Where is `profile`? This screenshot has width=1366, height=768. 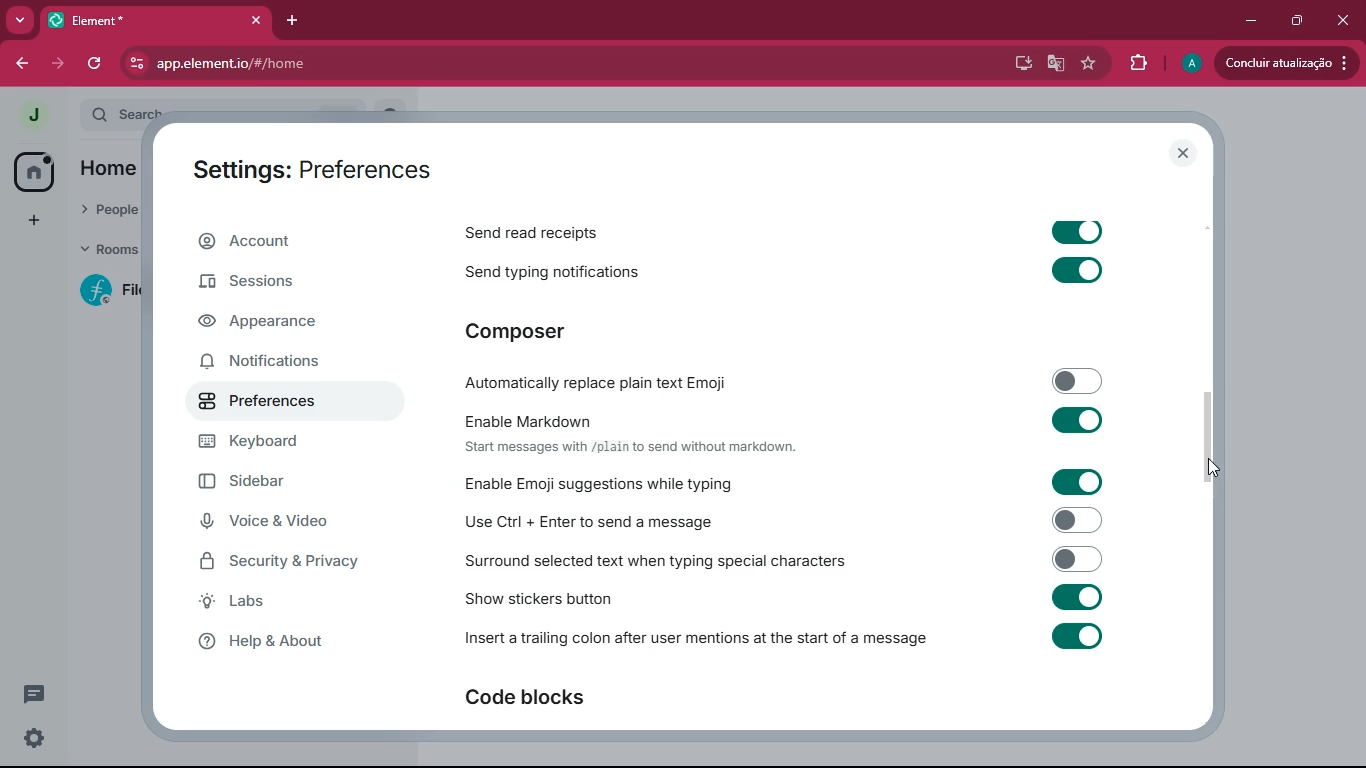
profile is located at coordinates (1189, 62).